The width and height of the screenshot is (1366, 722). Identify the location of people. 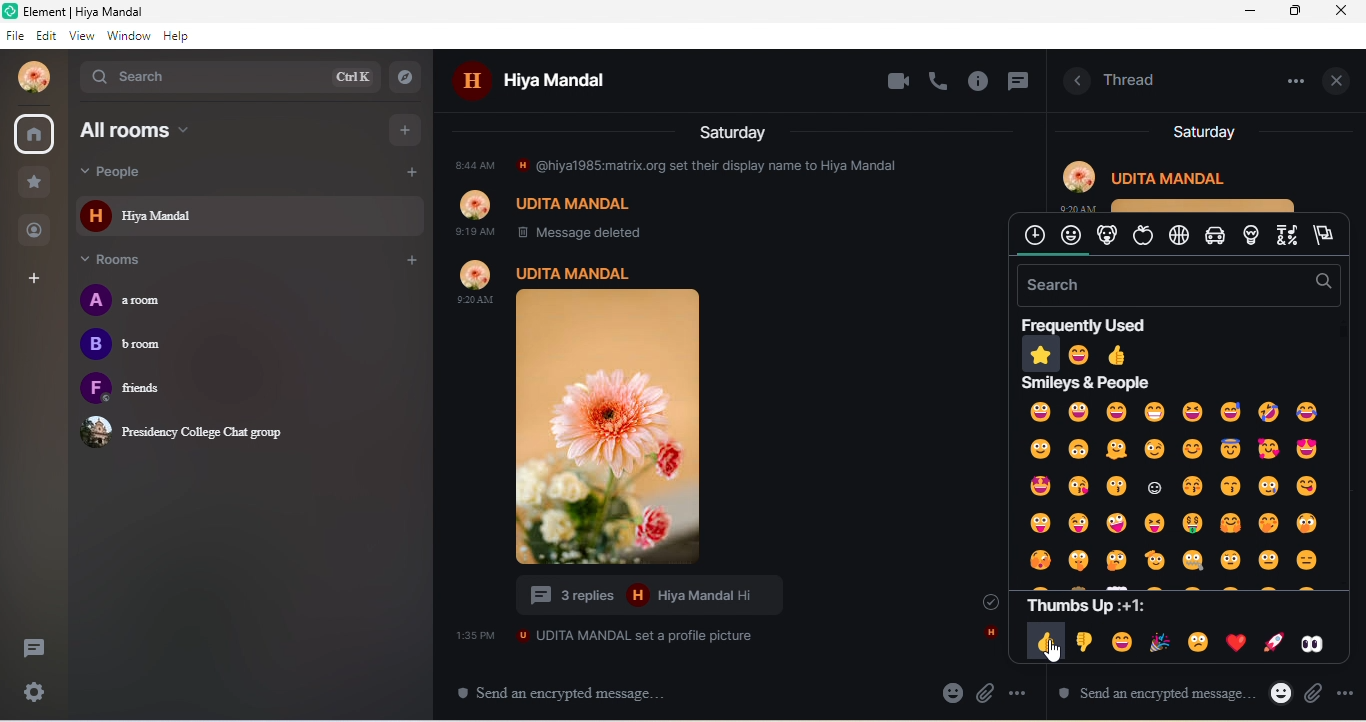
(36, 229).